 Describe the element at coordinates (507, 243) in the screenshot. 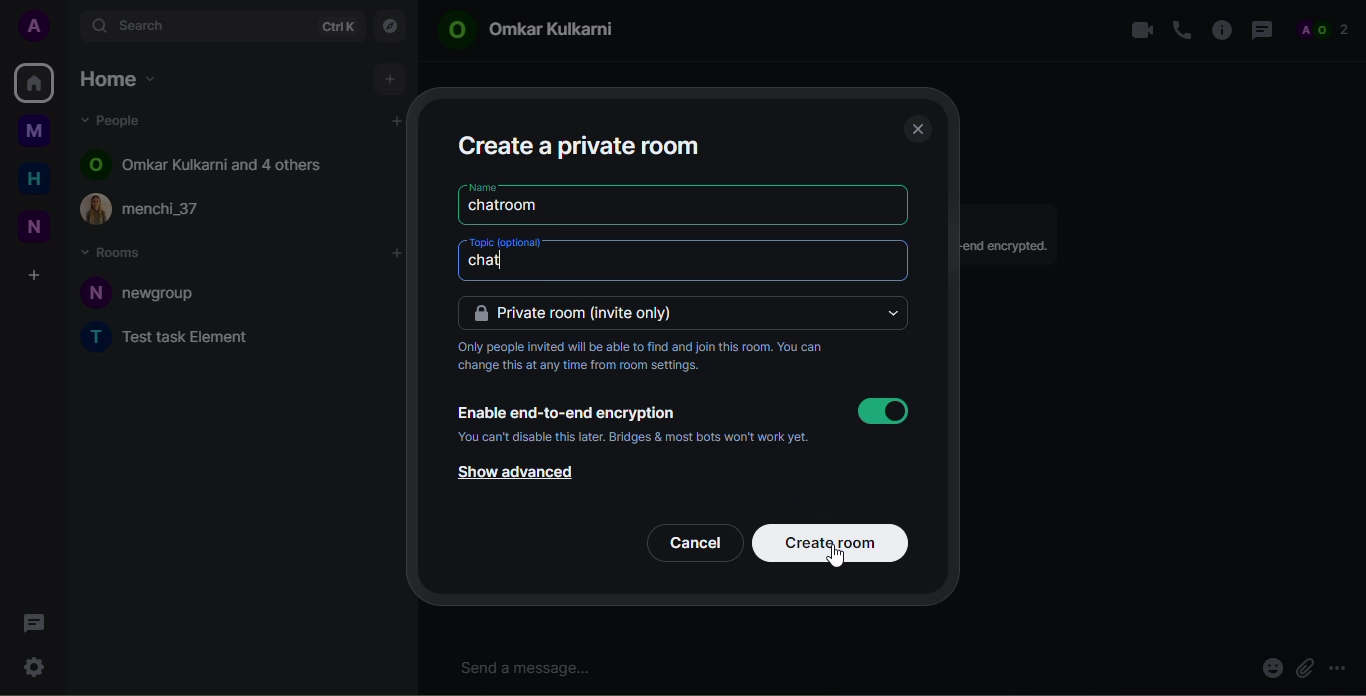

I see `topic` at that location.